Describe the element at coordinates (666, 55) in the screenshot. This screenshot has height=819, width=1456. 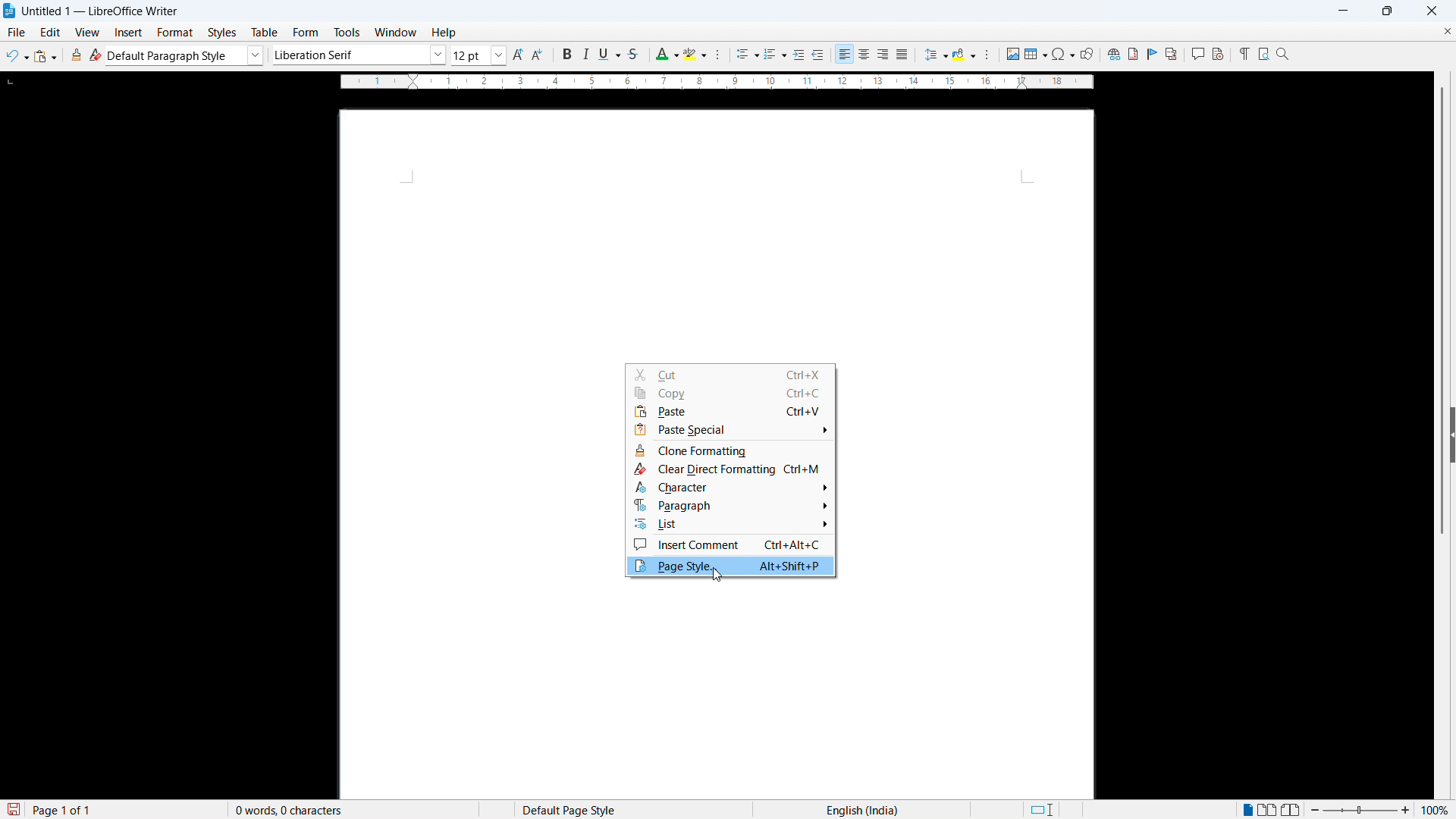
I see `Font colour ` at that location.